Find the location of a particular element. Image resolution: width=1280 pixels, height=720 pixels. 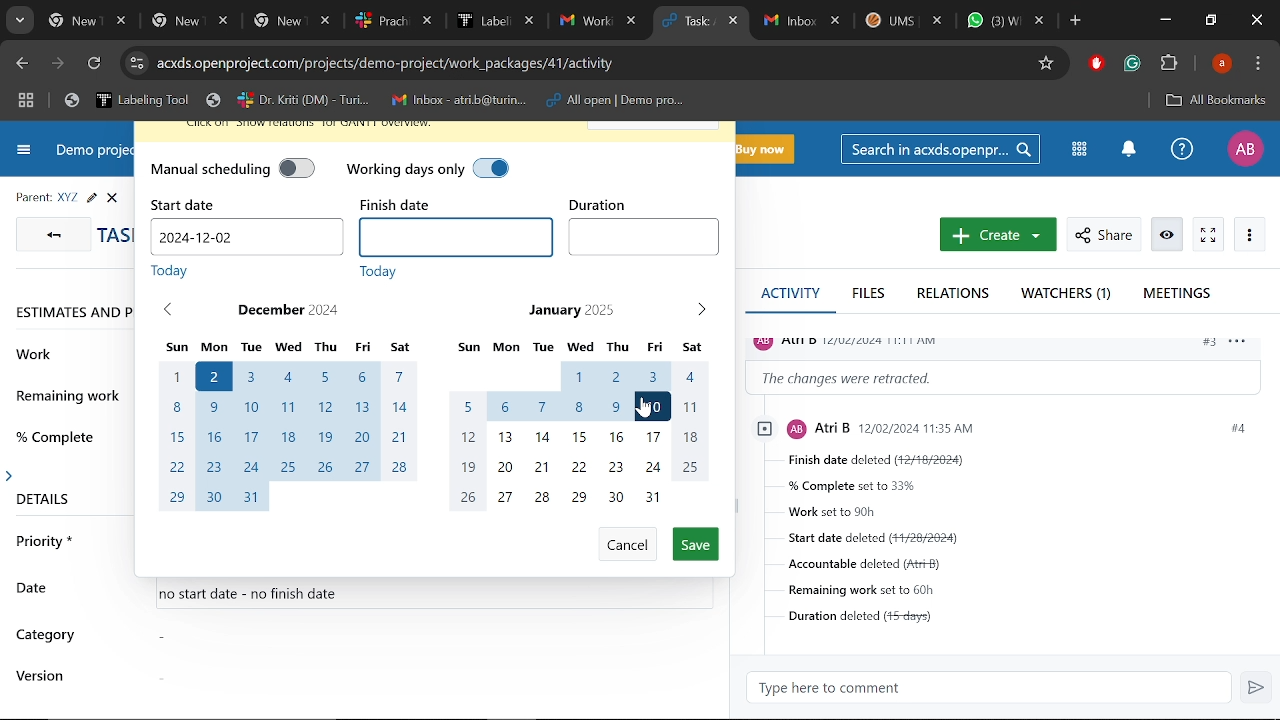

Save is located at coordinates (694, 544).